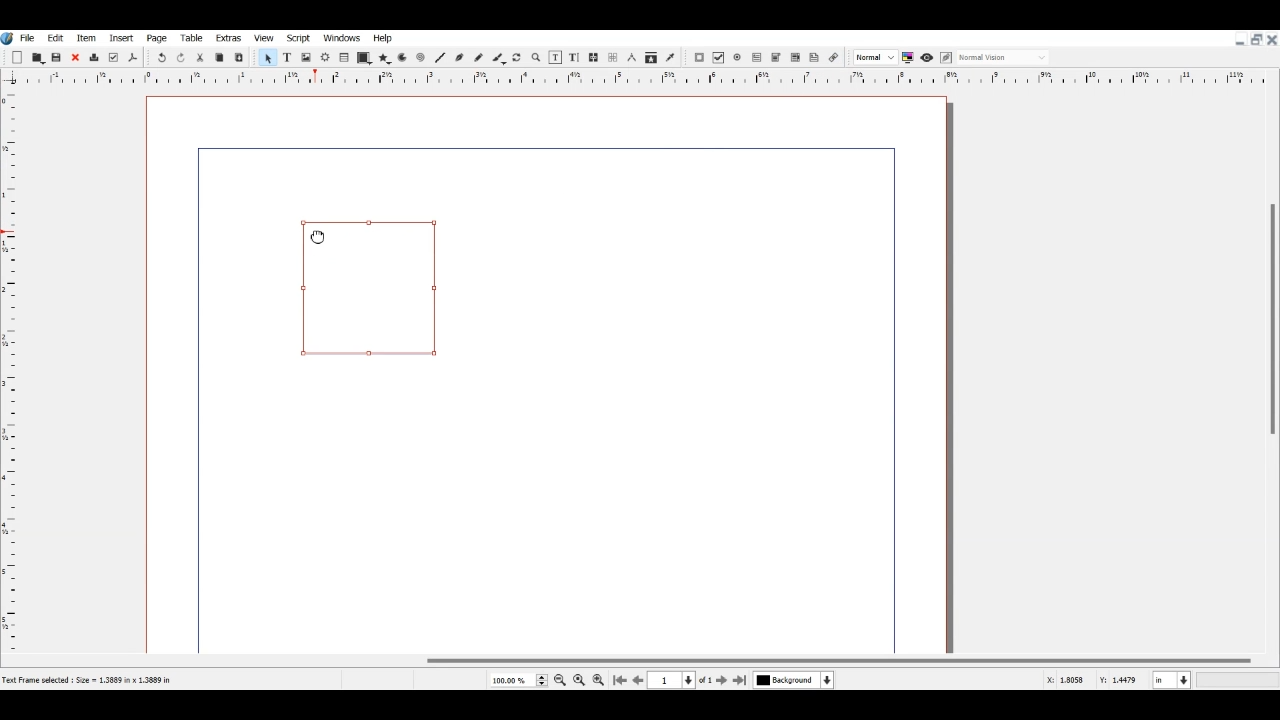 This screenshot has height=720, width=1280. What do you see at coordinates (518, 680) in the screenshot?
I see `Select Current Page` at bounding box center [518, 680].